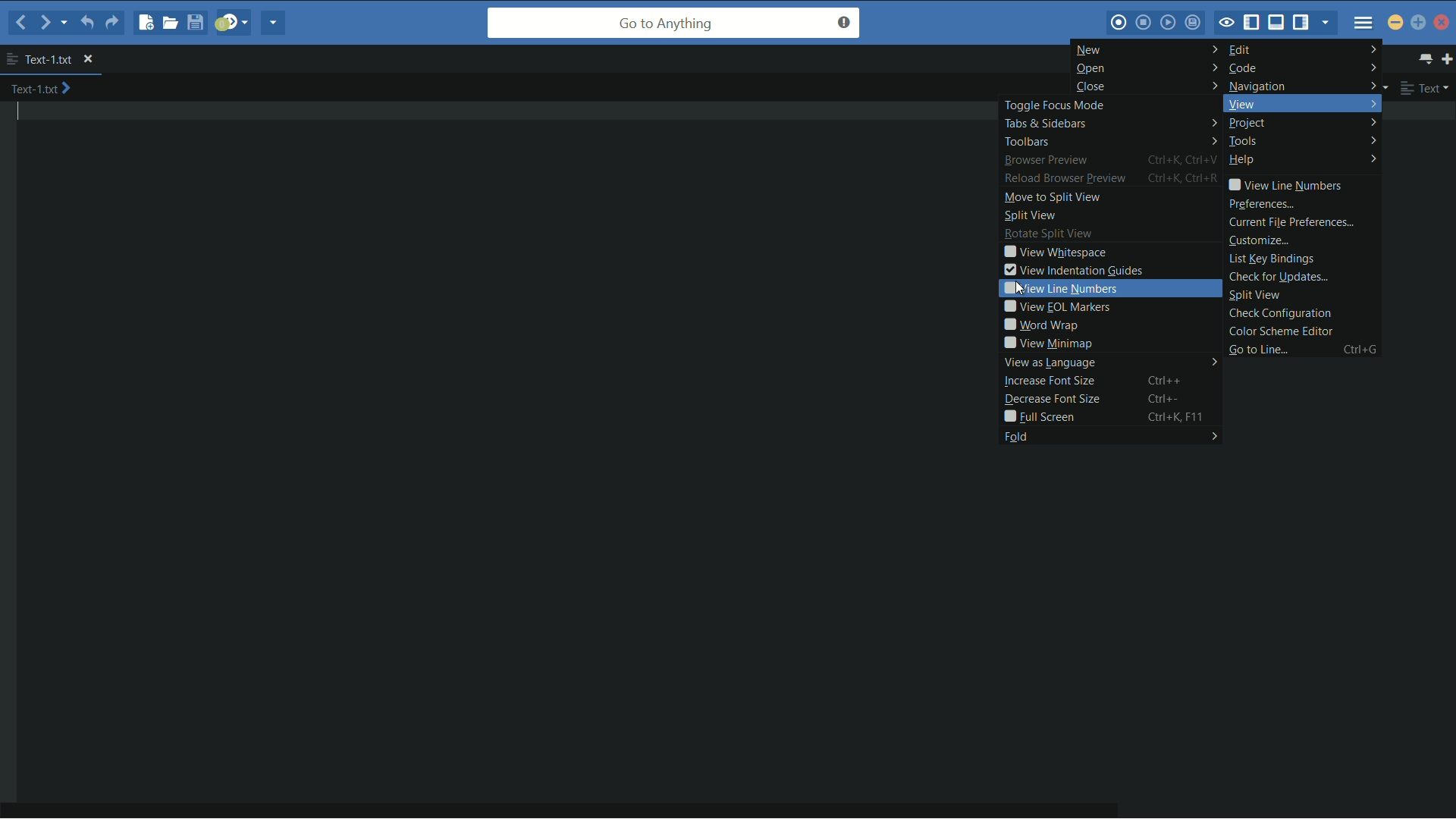 The image size is (1456, 819). Describe the element at coordinates (1050, 198) in the screenshot. I see `move to split view` at that location.